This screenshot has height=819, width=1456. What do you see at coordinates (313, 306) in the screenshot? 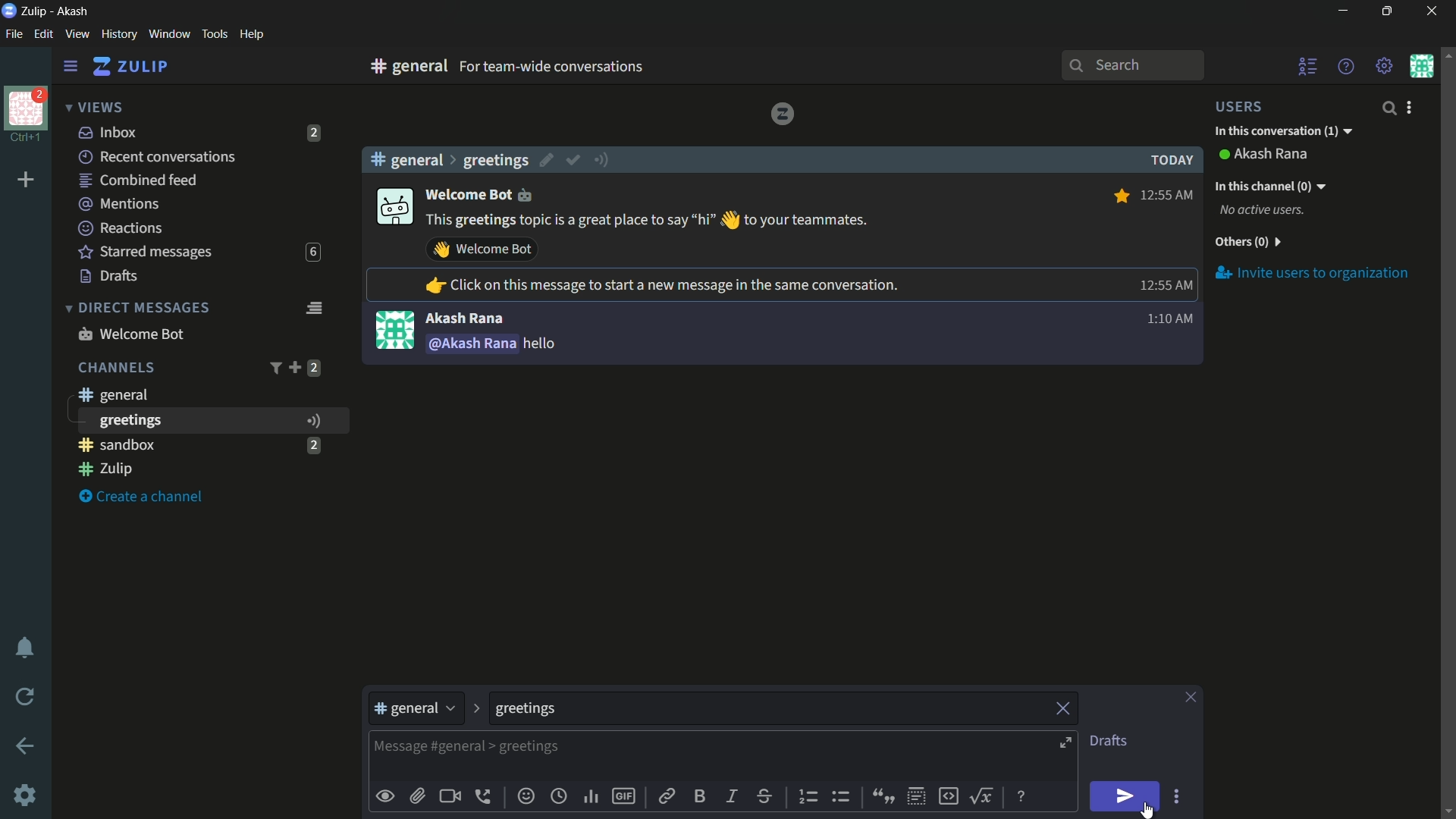
I see `direct message feed` at bounding box center [313, 306].